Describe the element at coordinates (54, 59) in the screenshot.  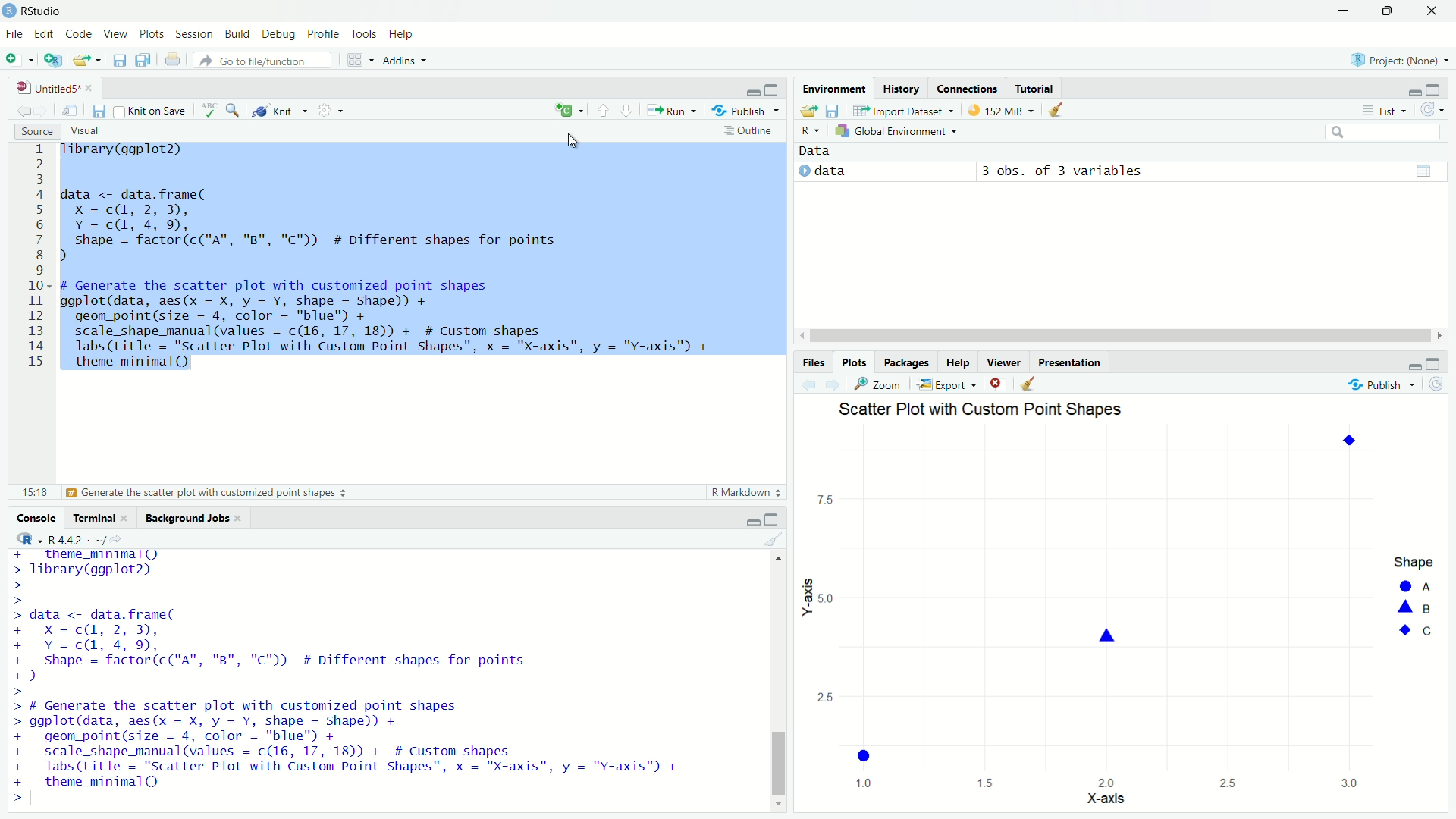
I see `Create a project` at that location.